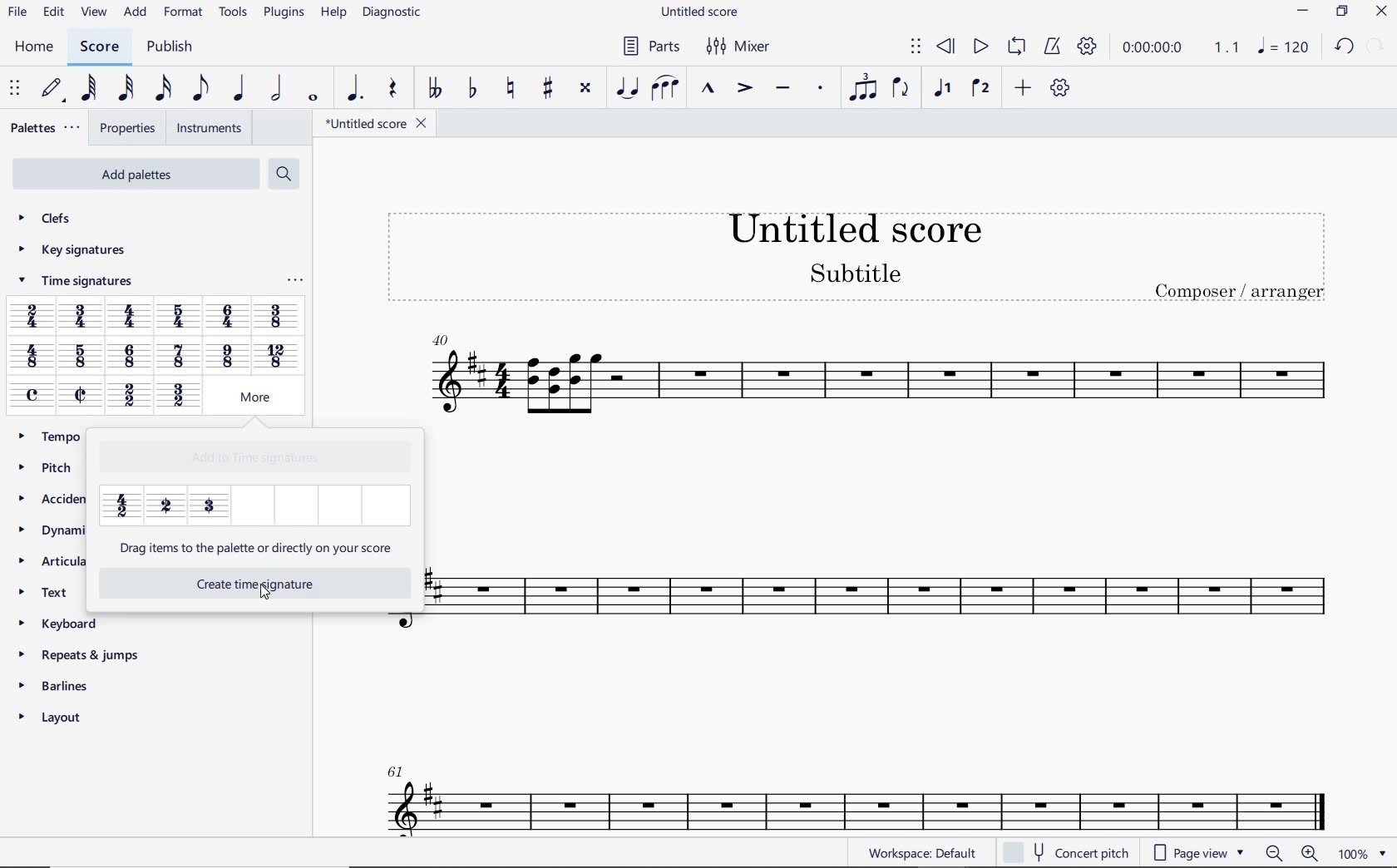 The height and width of the screenshot is (868, 1397). What do you see at coordinates (47, 220) in the screenshot?
I see `CLEFS` at bounding box center [47, 220].